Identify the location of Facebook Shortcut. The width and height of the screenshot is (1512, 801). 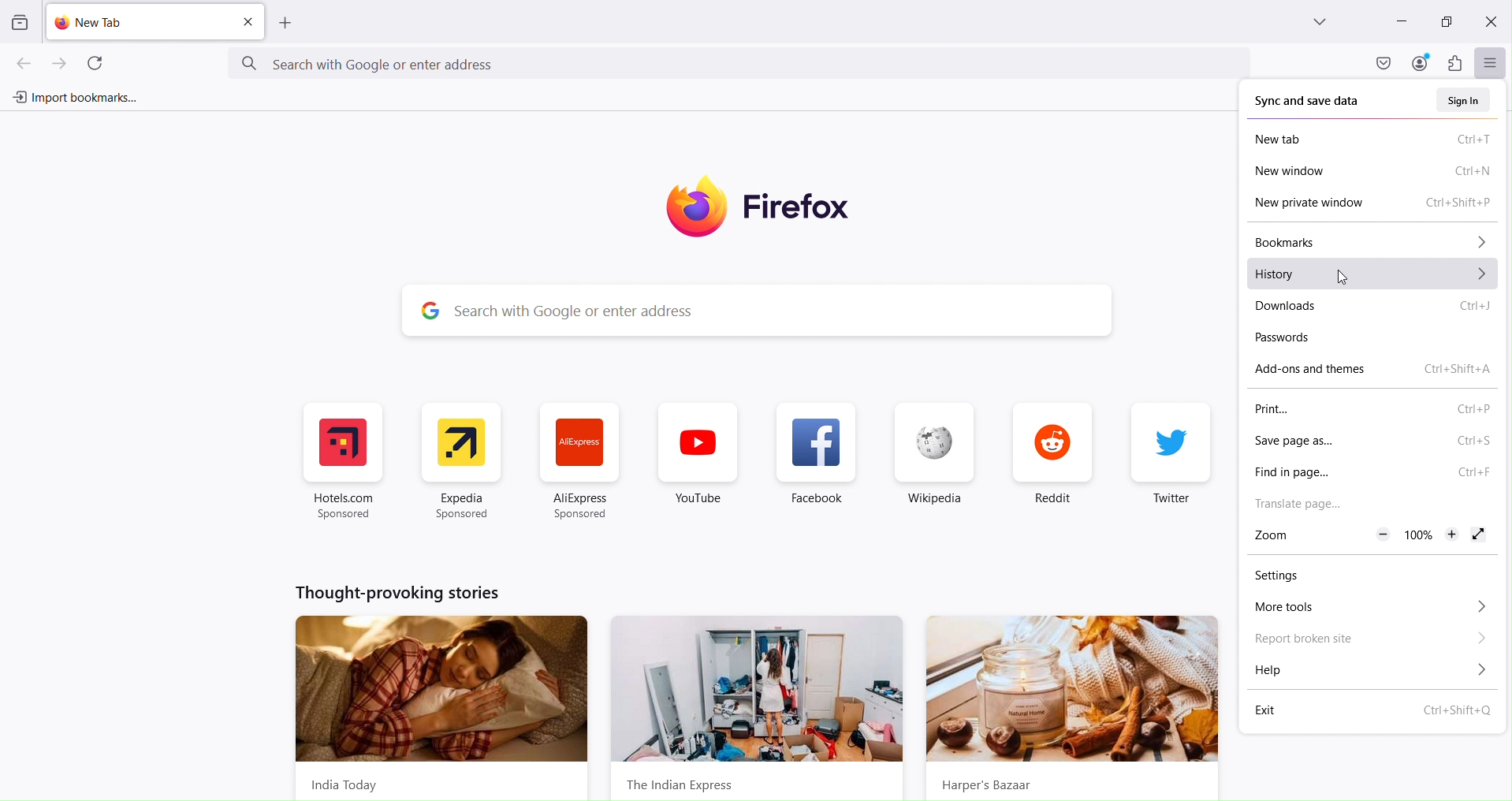
(819, 464).